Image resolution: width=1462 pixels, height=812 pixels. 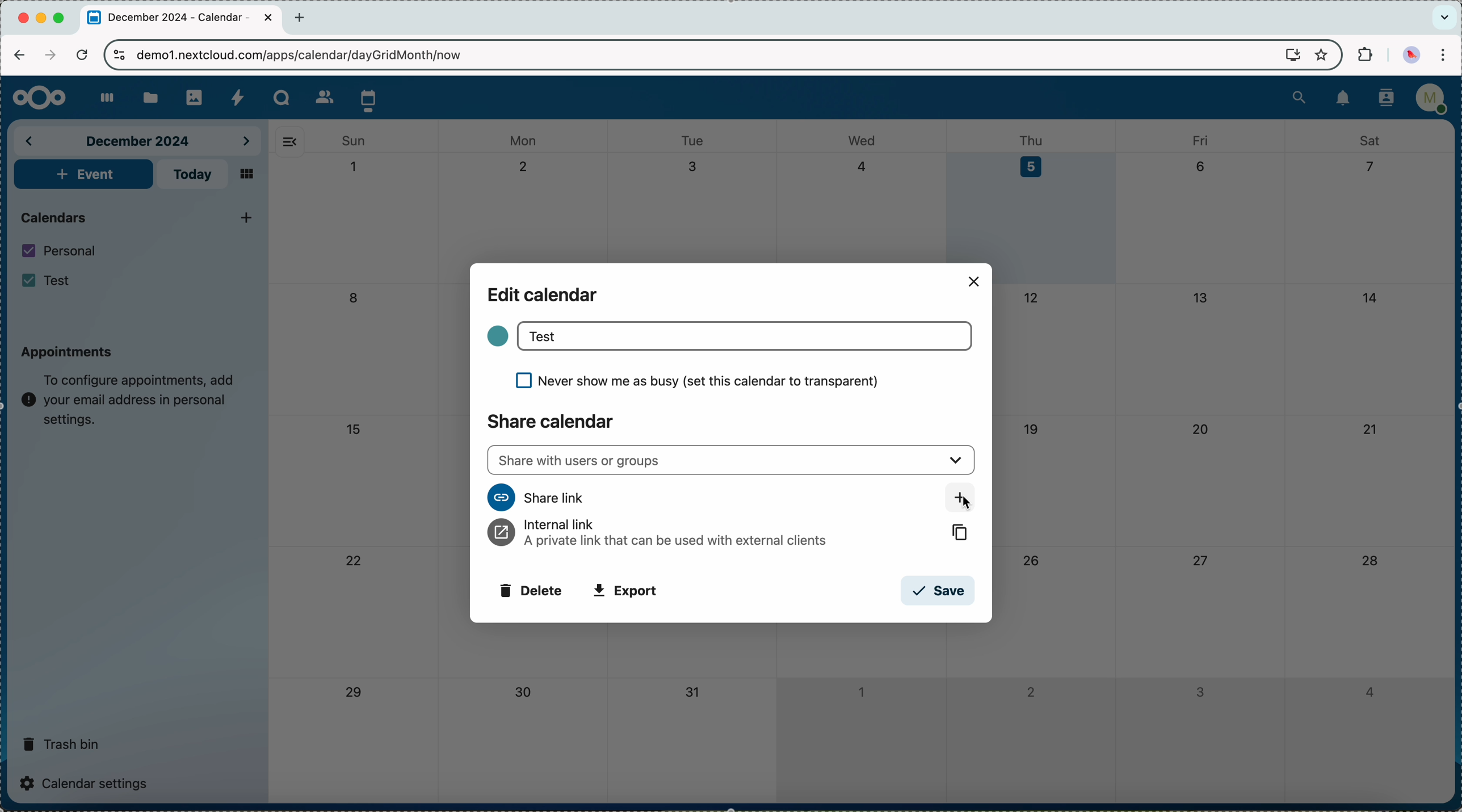 What do you see at coordinates (369, 99) in the screenshot?
I see `click on calendar` at bounding box center [369, 99].